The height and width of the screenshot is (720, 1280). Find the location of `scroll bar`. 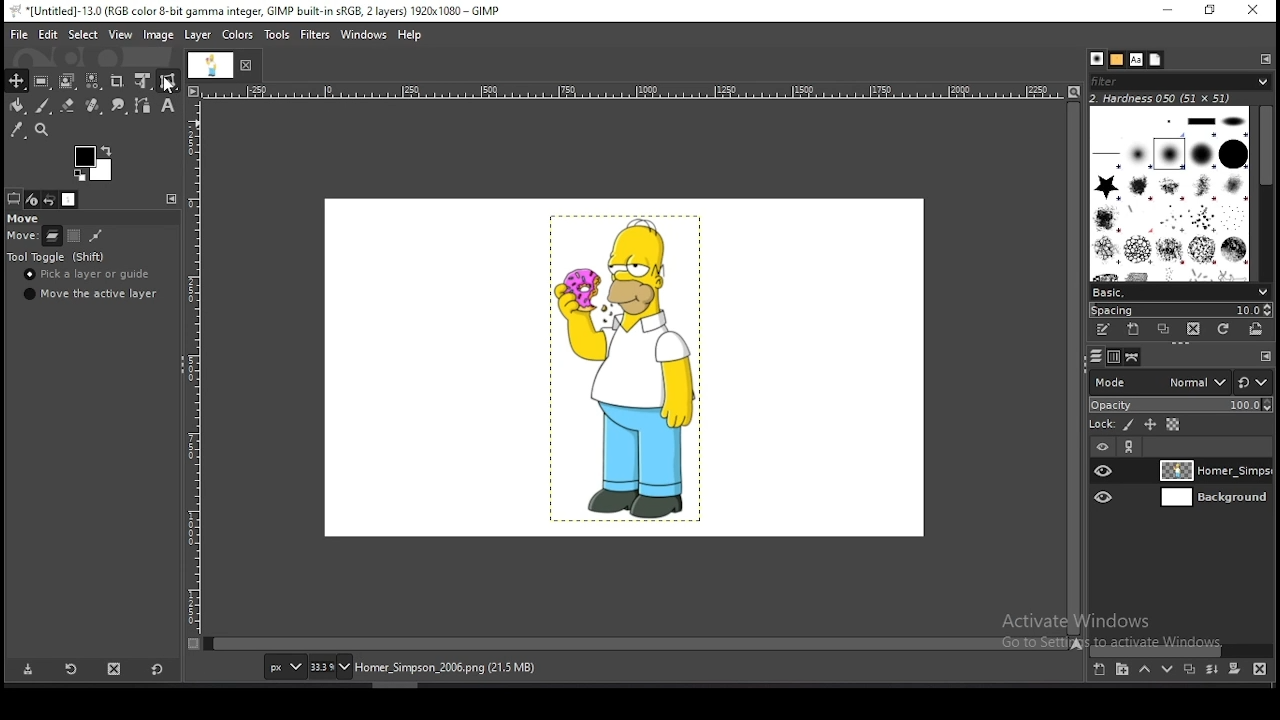

scroll bar is located at coordinates (636, 642).